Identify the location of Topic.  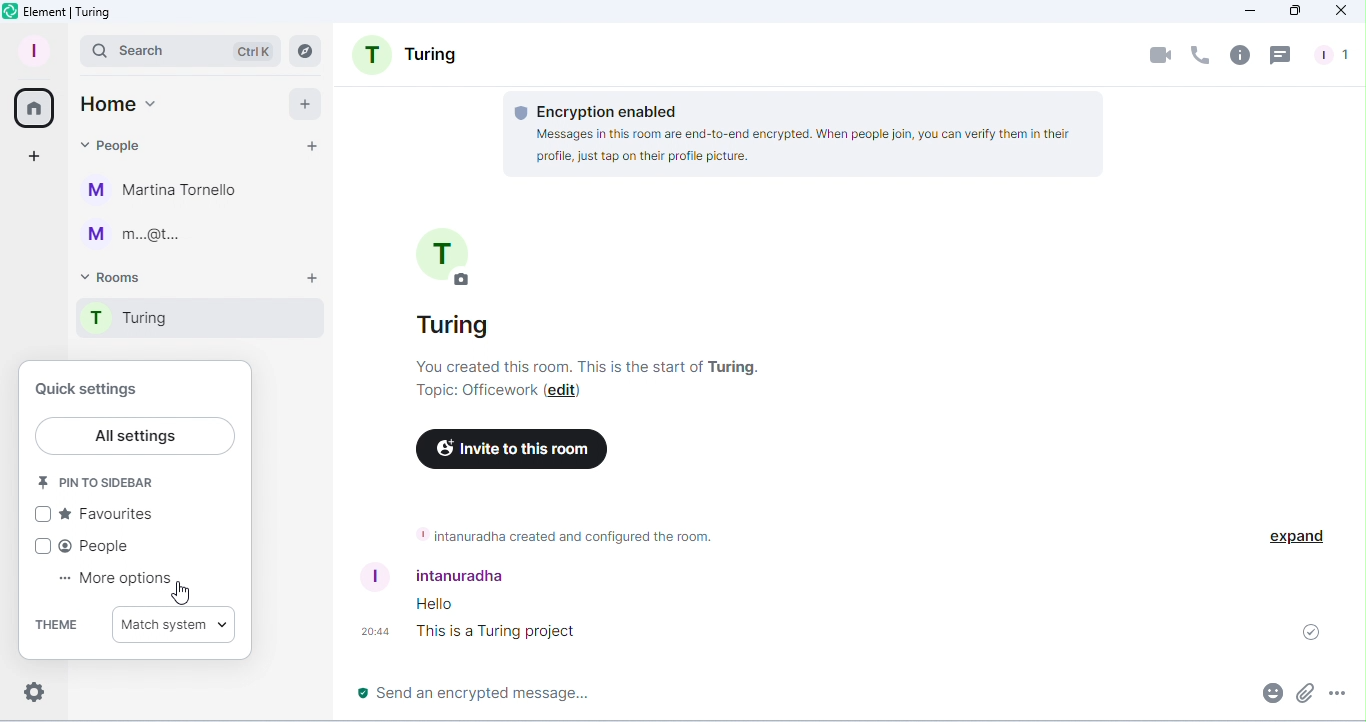
(474, 394).